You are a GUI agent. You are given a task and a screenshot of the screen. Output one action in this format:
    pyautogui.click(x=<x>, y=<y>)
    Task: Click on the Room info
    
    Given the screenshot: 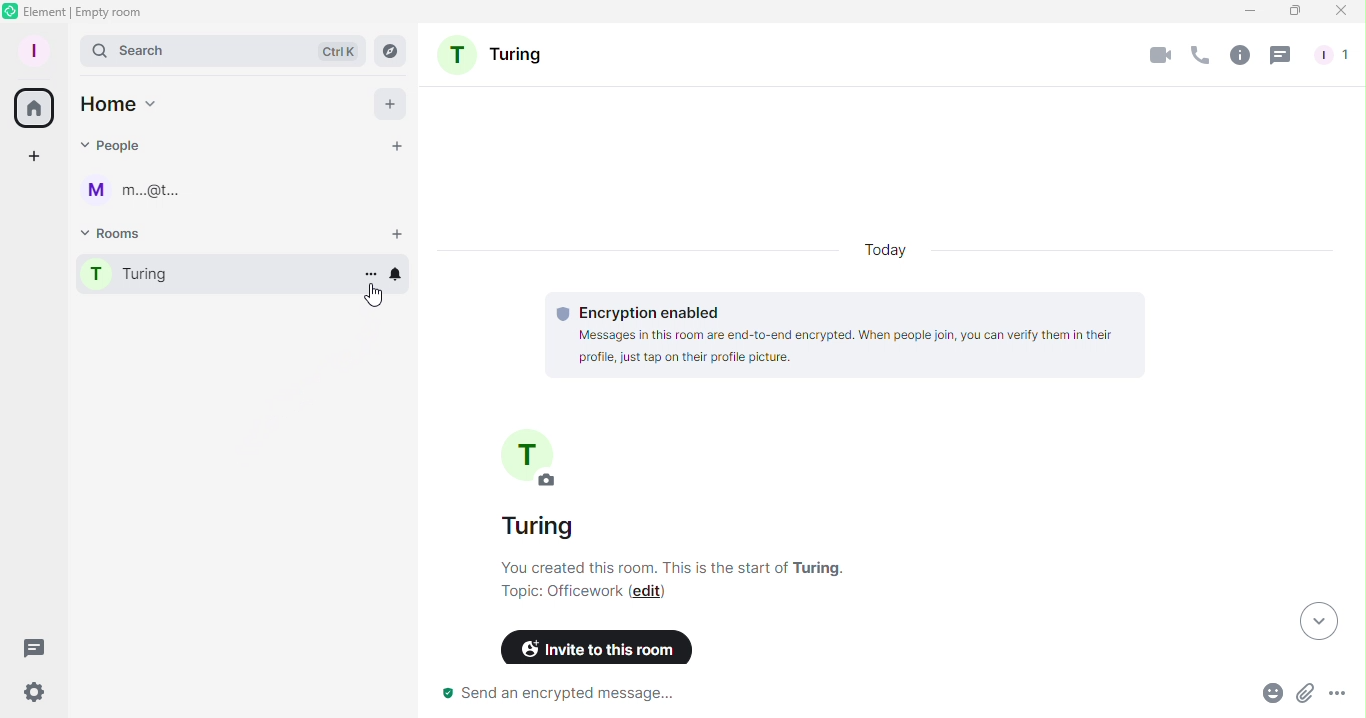 What is the action you would take?
    pyautogui.click(x=1236, y=59)
    